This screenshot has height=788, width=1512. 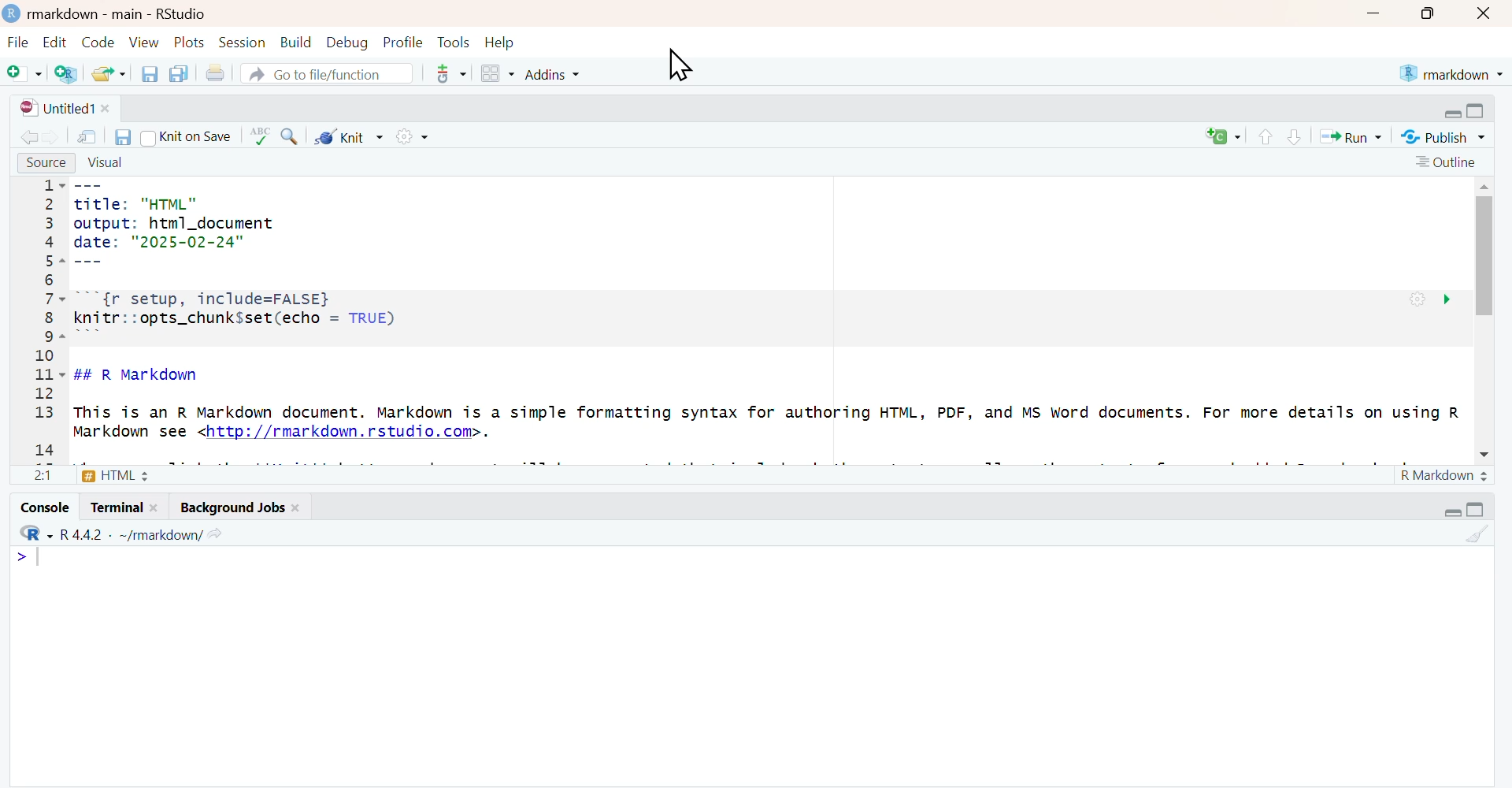 I want to click on File, so click(x=19, y=43).